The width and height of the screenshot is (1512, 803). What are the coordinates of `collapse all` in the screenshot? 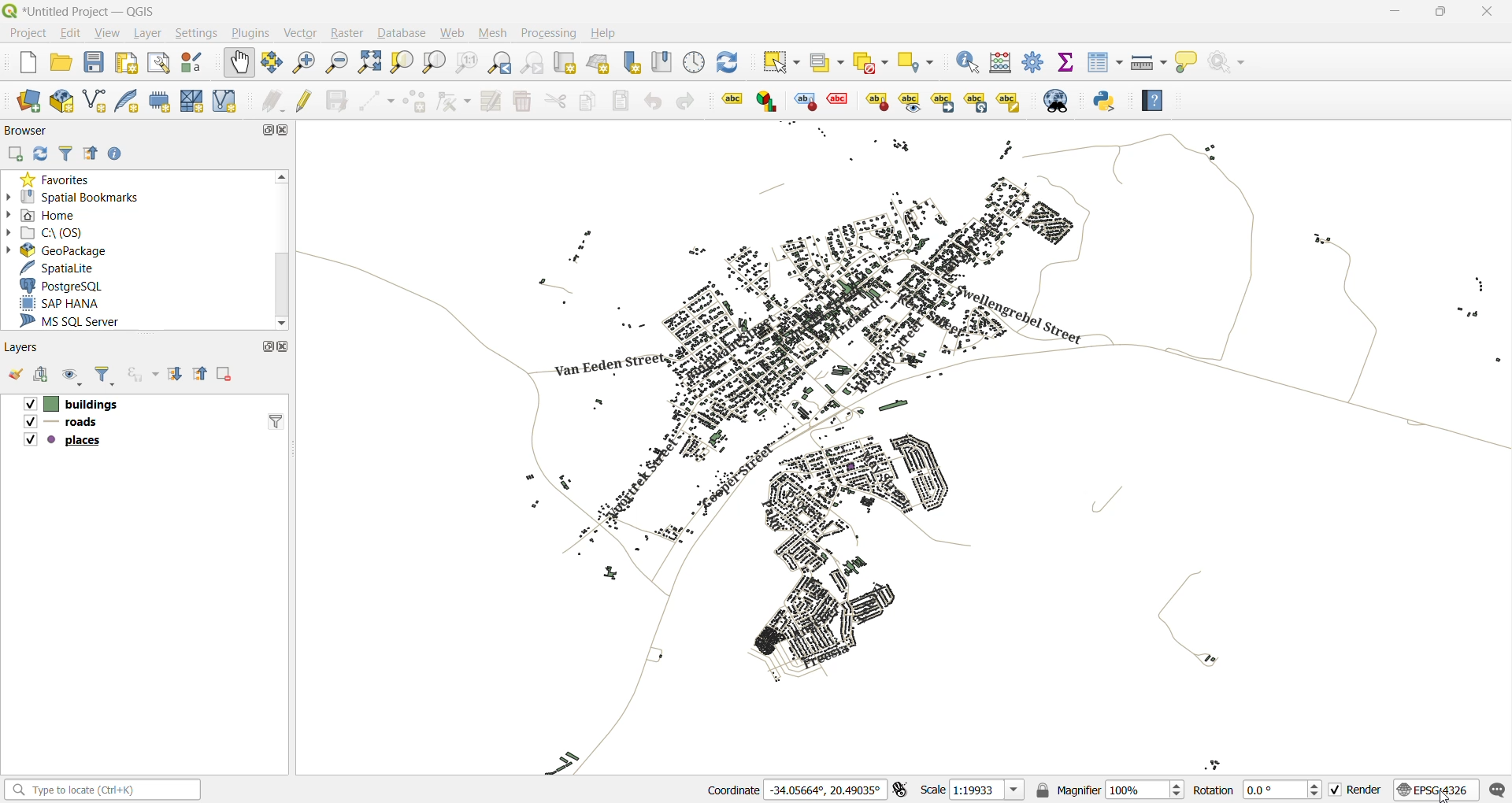 It's located at (200, 375).